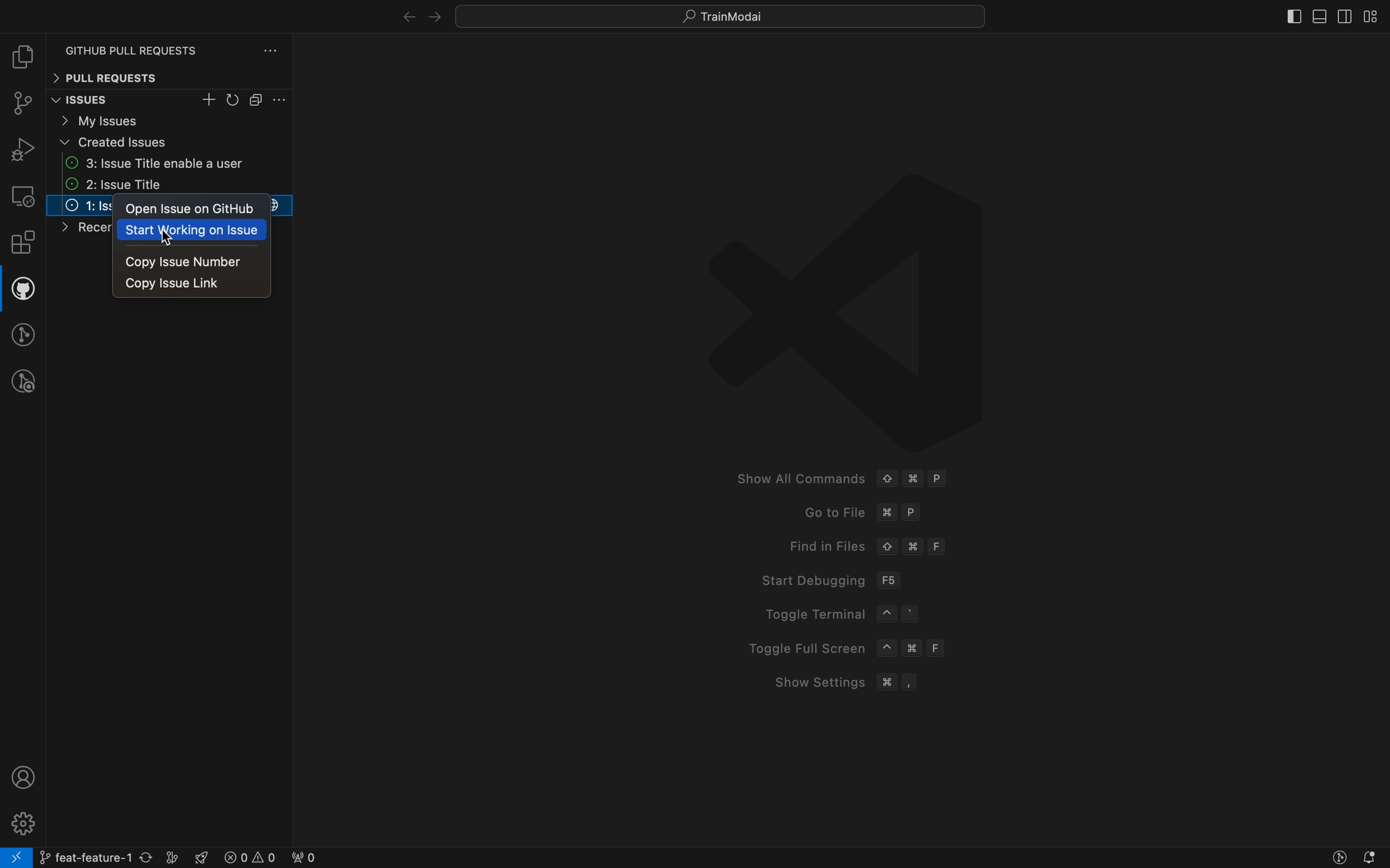 The image size is (1390, 868). Describe the element at coordinates (169, 77) in the screenshot. I see `pull requests` at that location.